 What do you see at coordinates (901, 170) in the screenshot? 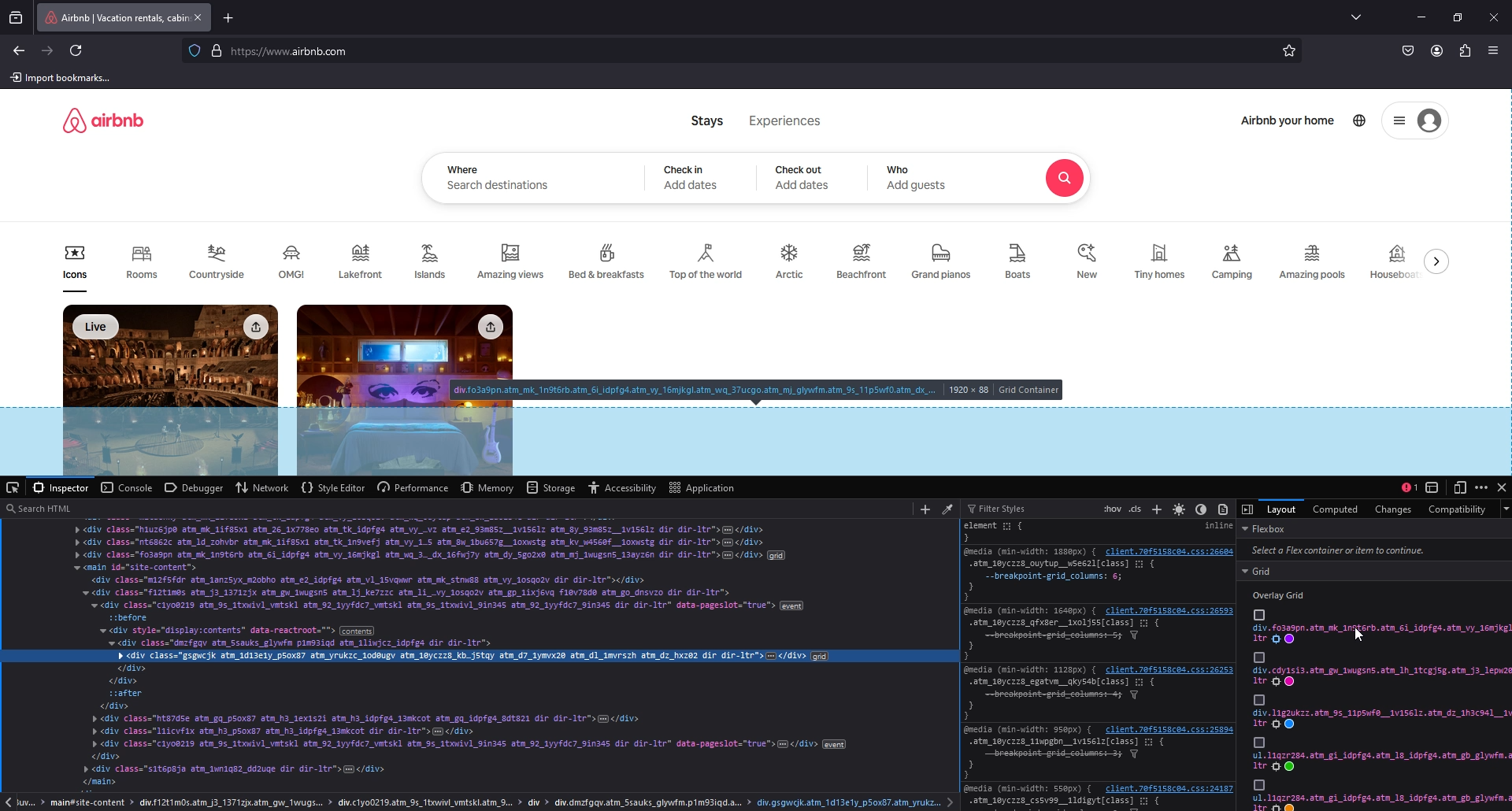
I see `who` at bounding box center [901, 170].